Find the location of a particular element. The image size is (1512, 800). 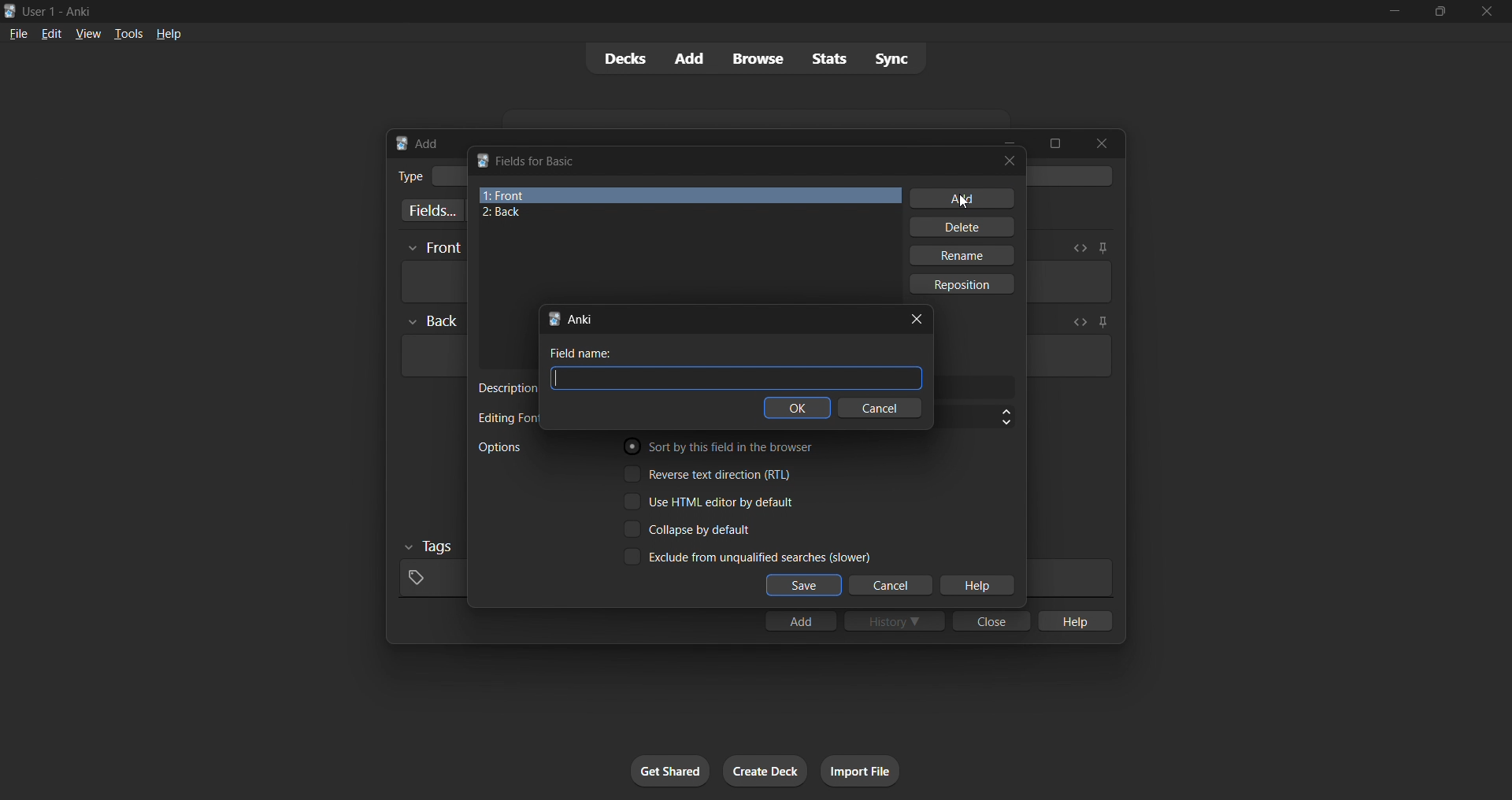

history is located at coordinates (895, 620).